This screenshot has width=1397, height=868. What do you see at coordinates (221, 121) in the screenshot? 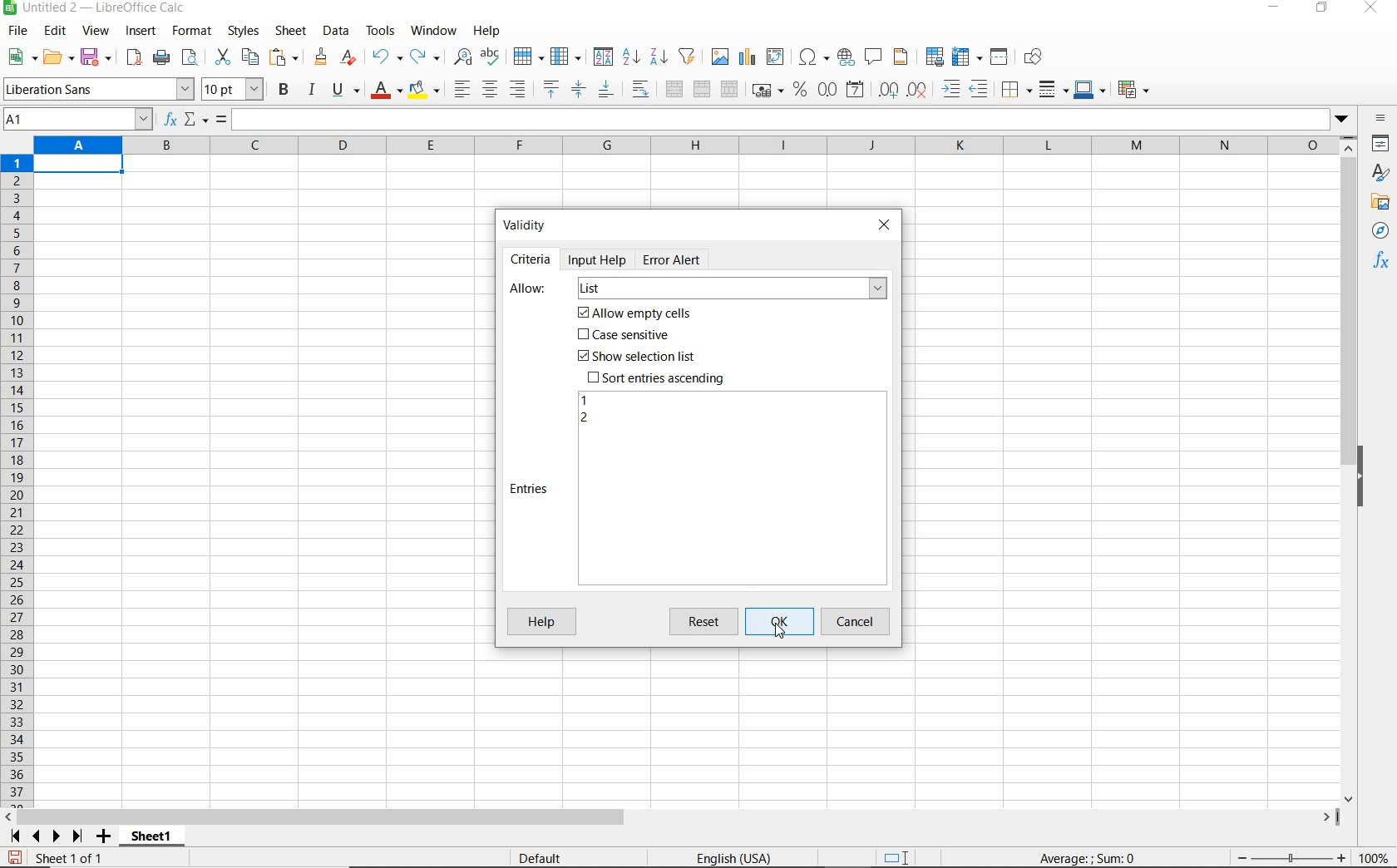
I see `formula` at bounding box center [221, 121].